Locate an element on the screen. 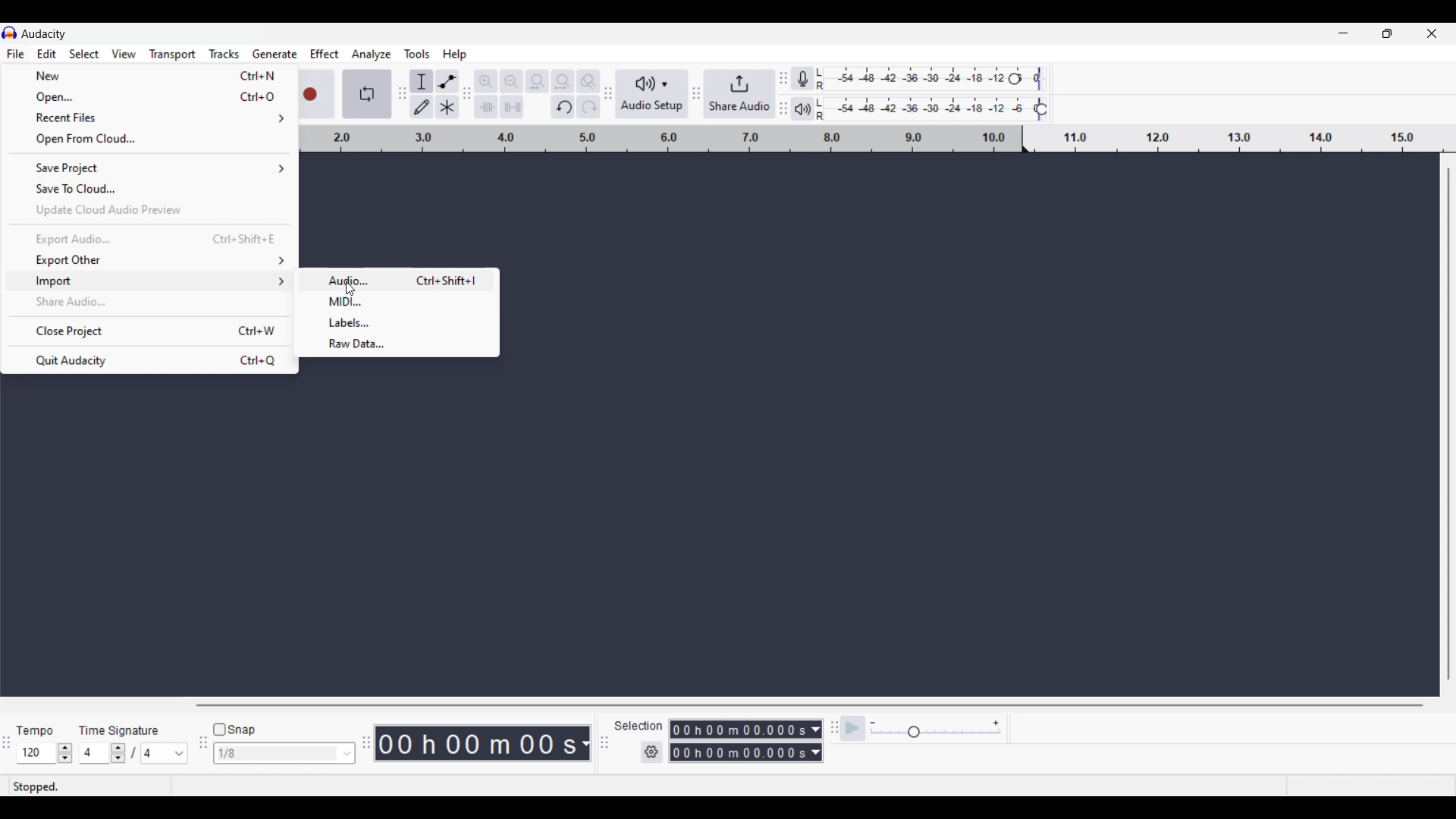 The image size is (1456, 819). Select menu is located at coordinates (85, 54).